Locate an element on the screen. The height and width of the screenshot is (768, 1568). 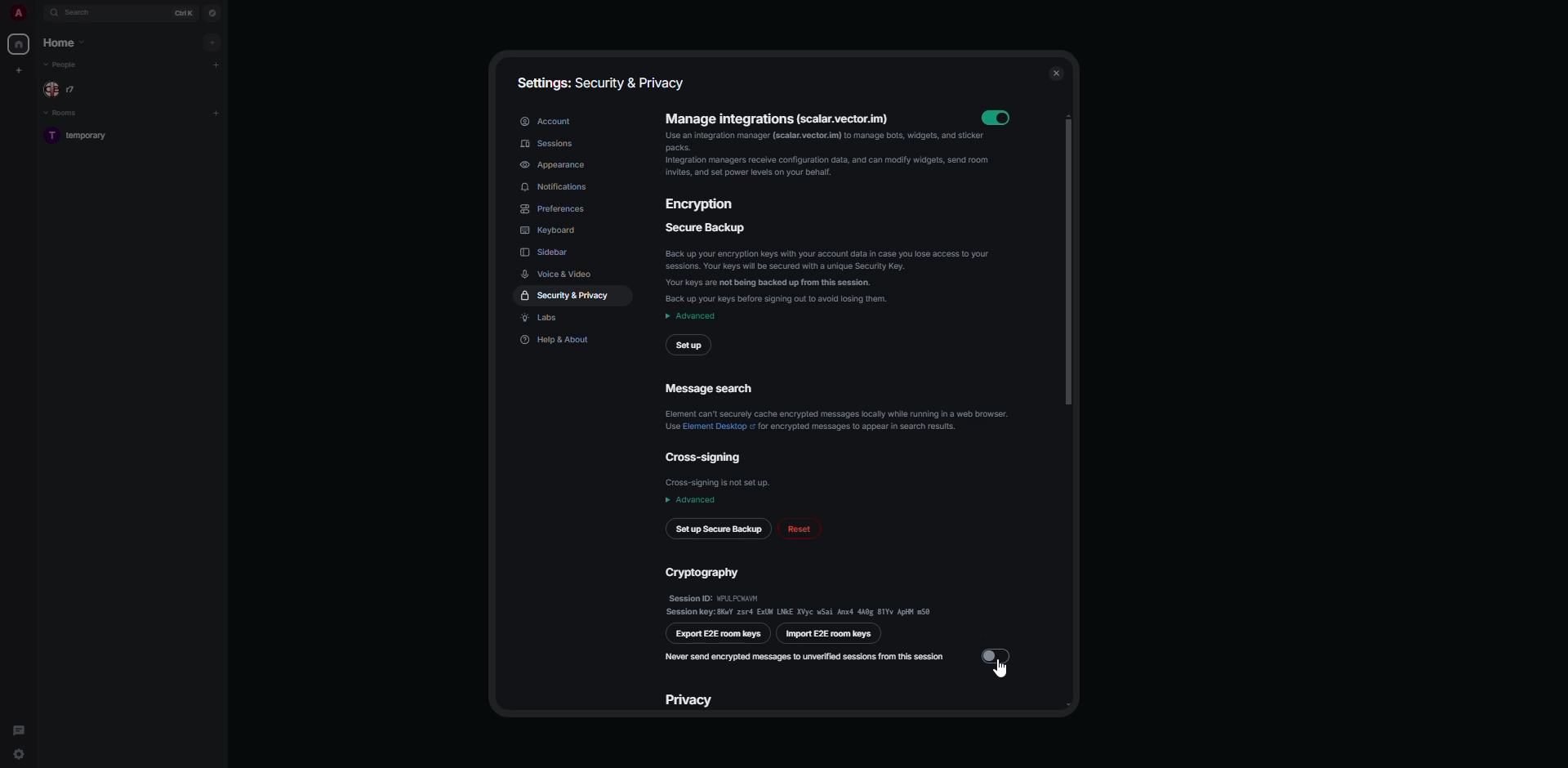
security & privacy is located at coordinates (569, 295).